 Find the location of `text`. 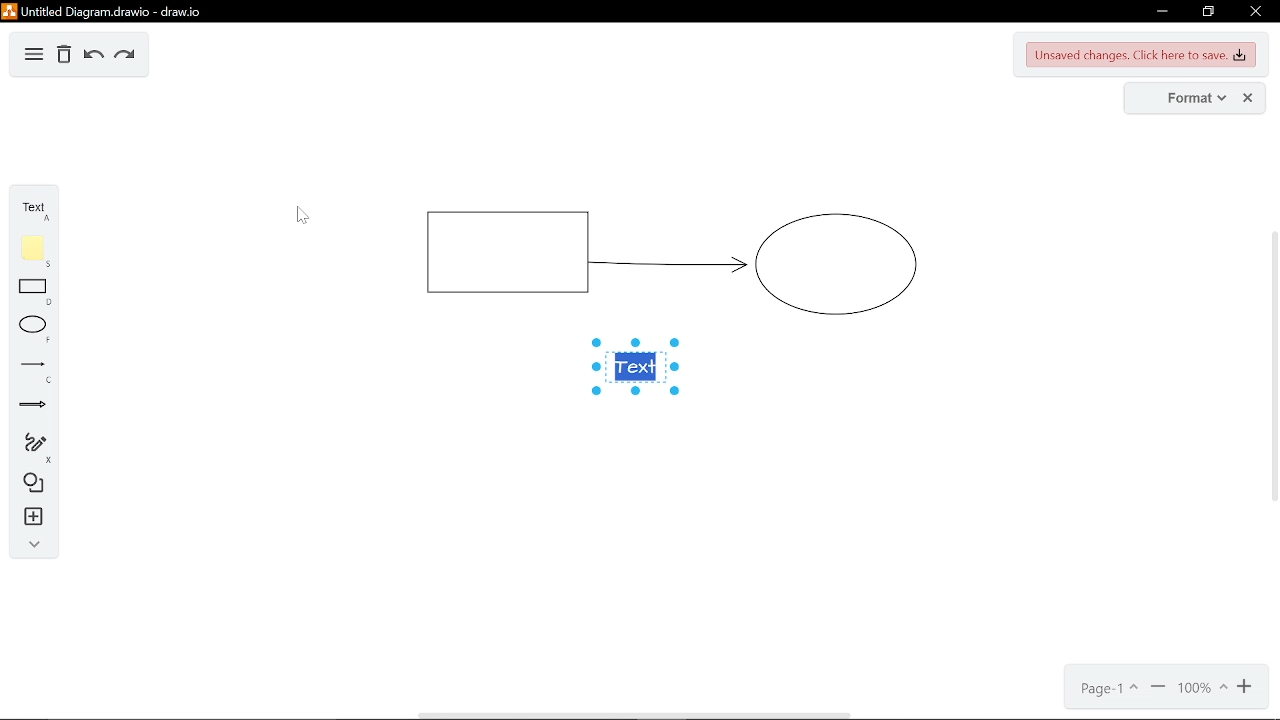

text is located at coordinates (34, 213).